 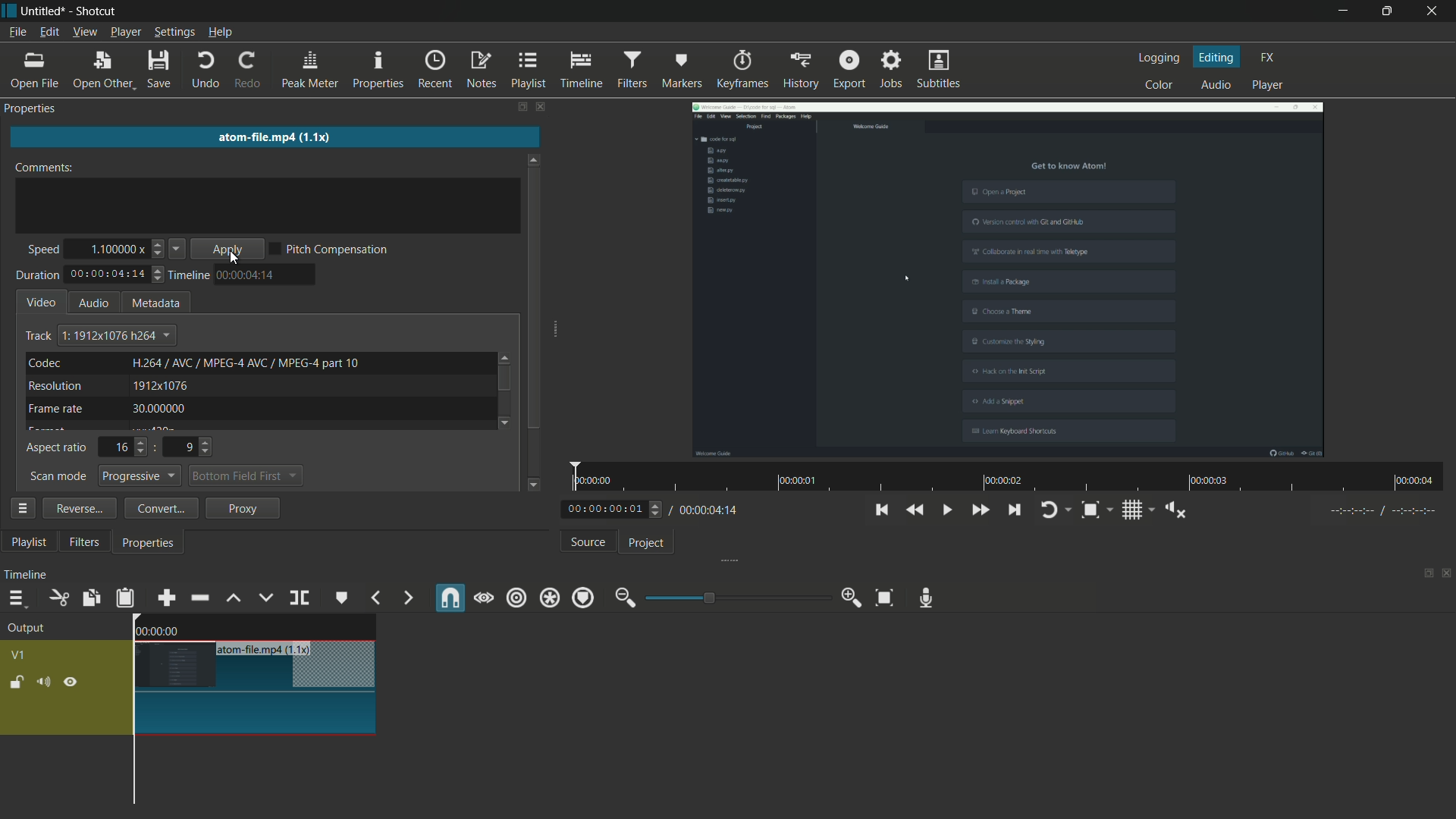 I want to click on bottom field first, so click(x=238, y=478).